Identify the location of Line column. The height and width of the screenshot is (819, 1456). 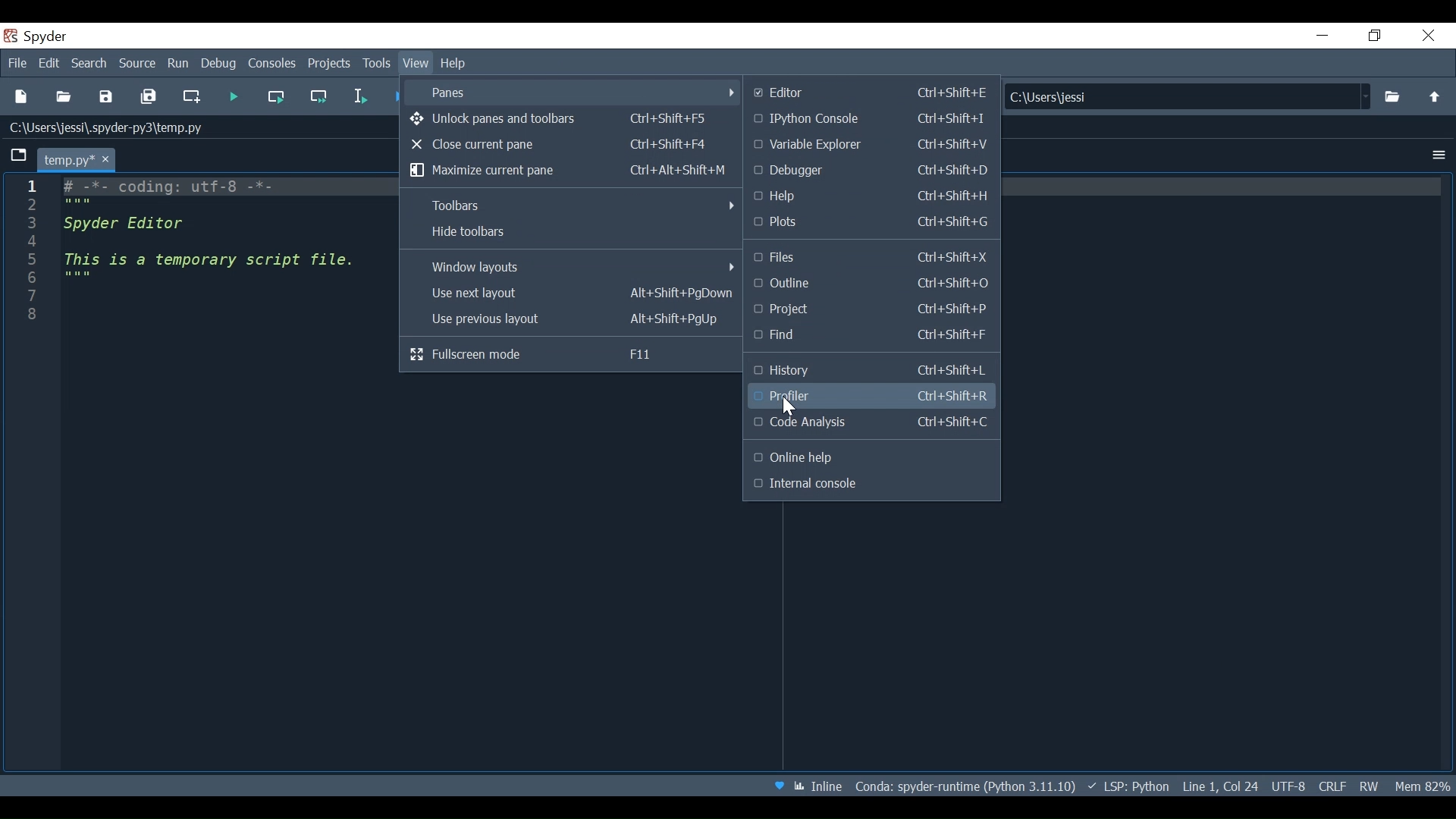
(29, 257).